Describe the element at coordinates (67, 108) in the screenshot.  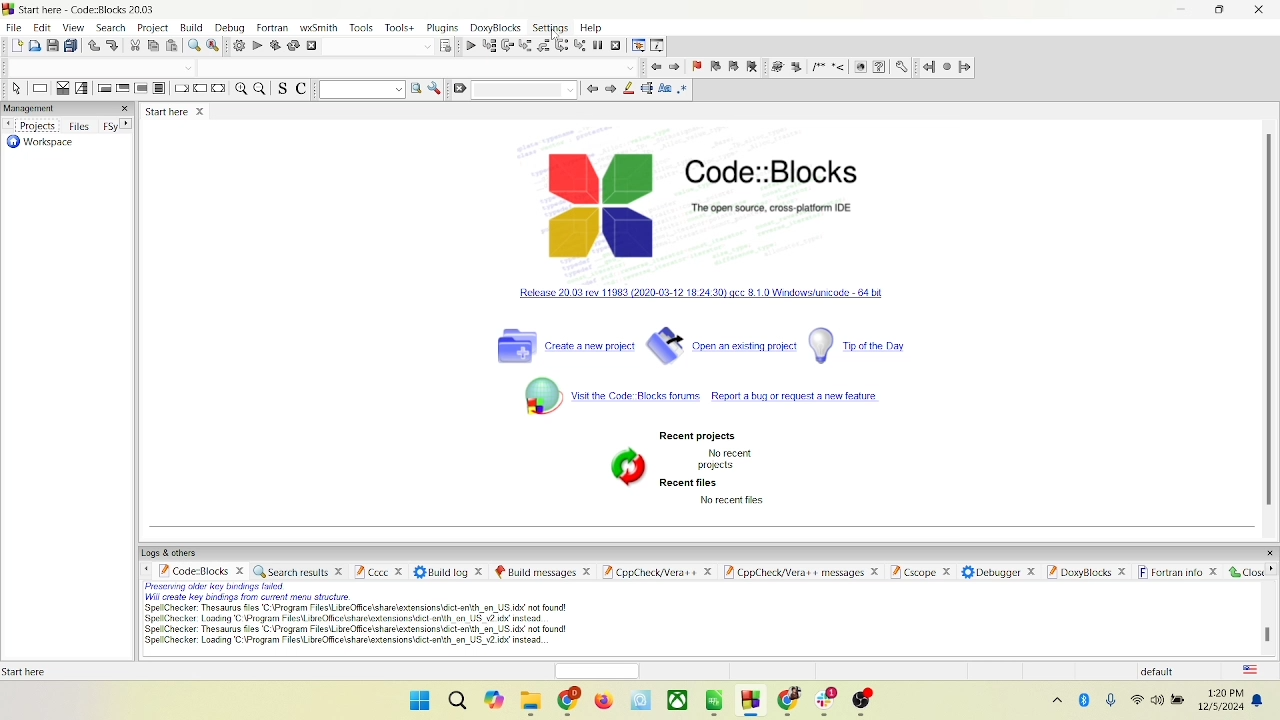
I see `management` at that location.